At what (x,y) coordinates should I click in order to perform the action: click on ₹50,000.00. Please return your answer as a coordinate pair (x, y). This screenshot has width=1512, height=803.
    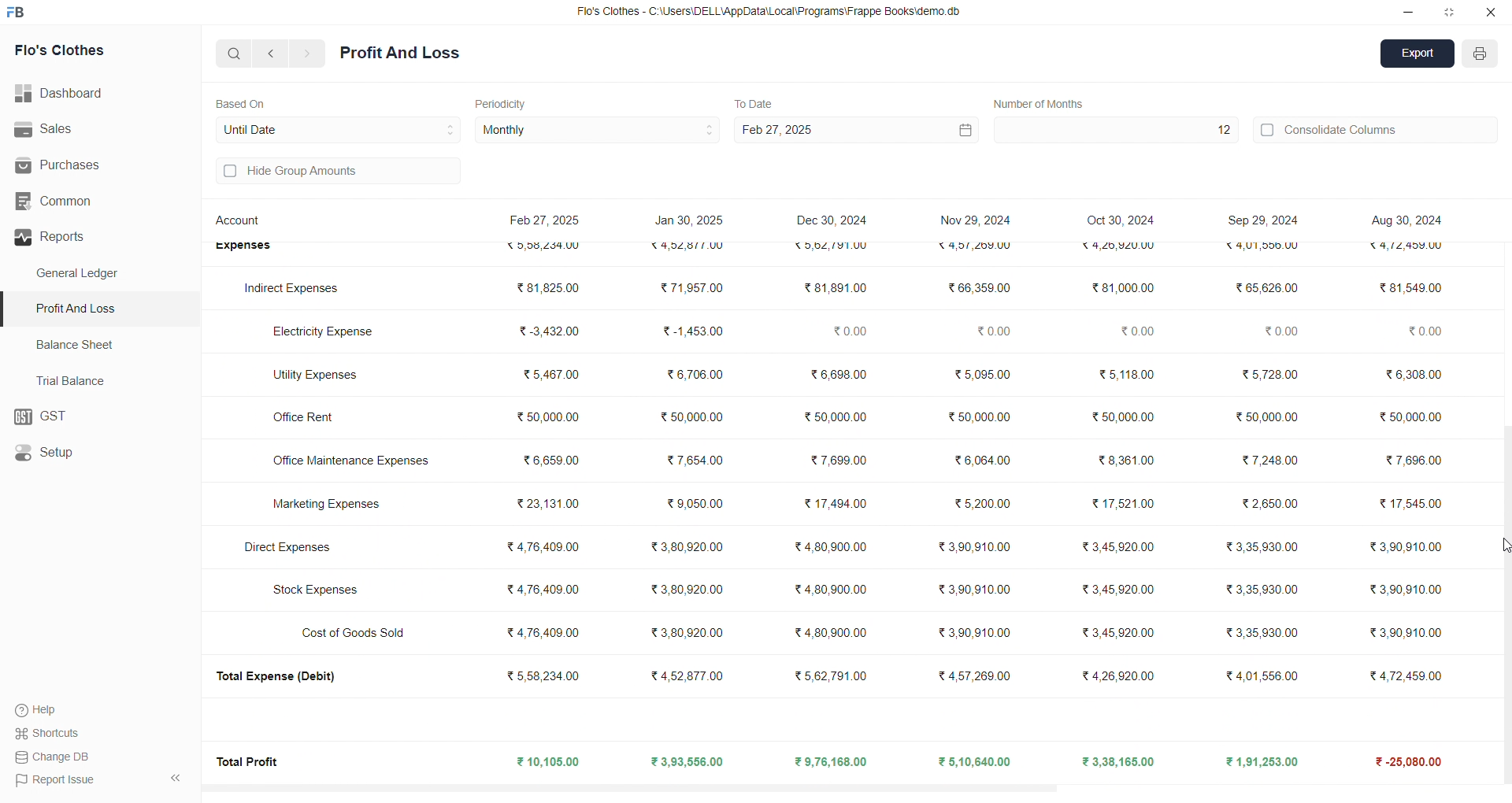
    Looking at the image, I should click on (1121, 420).